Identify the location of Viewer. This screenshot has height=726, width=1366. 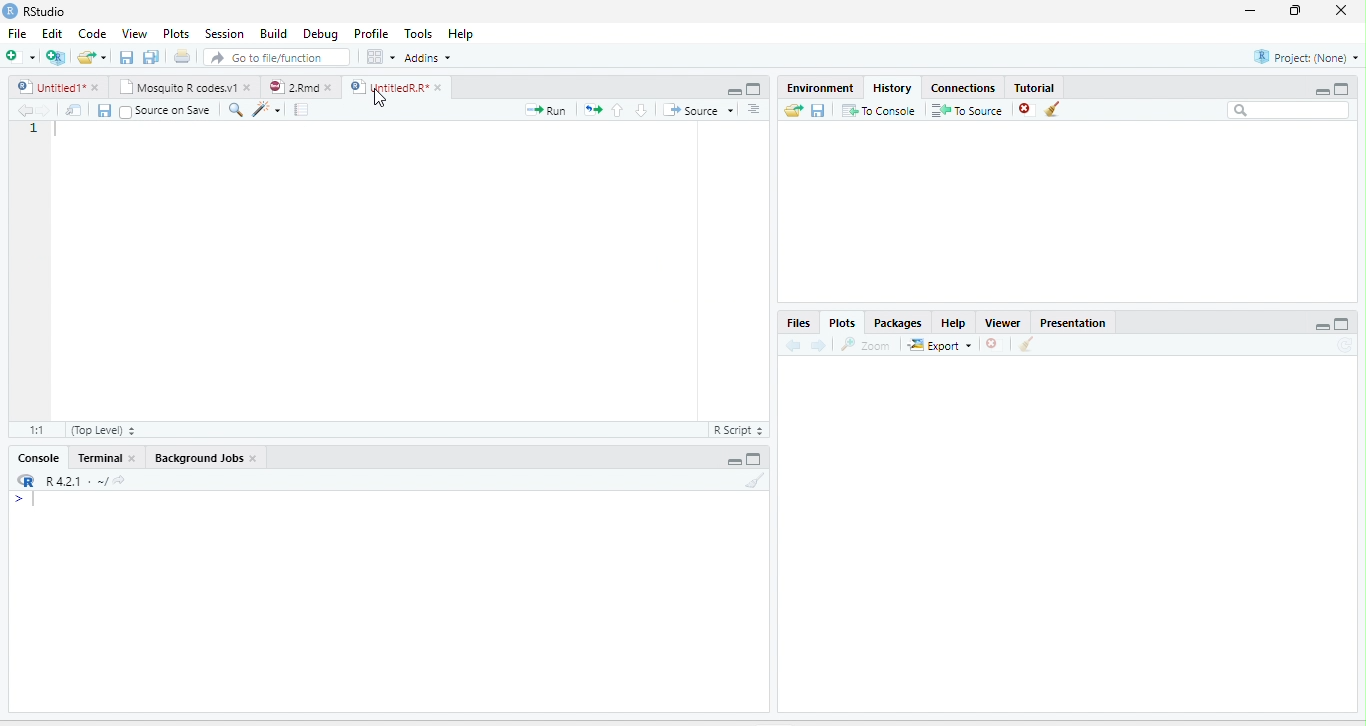
(1003, 322).